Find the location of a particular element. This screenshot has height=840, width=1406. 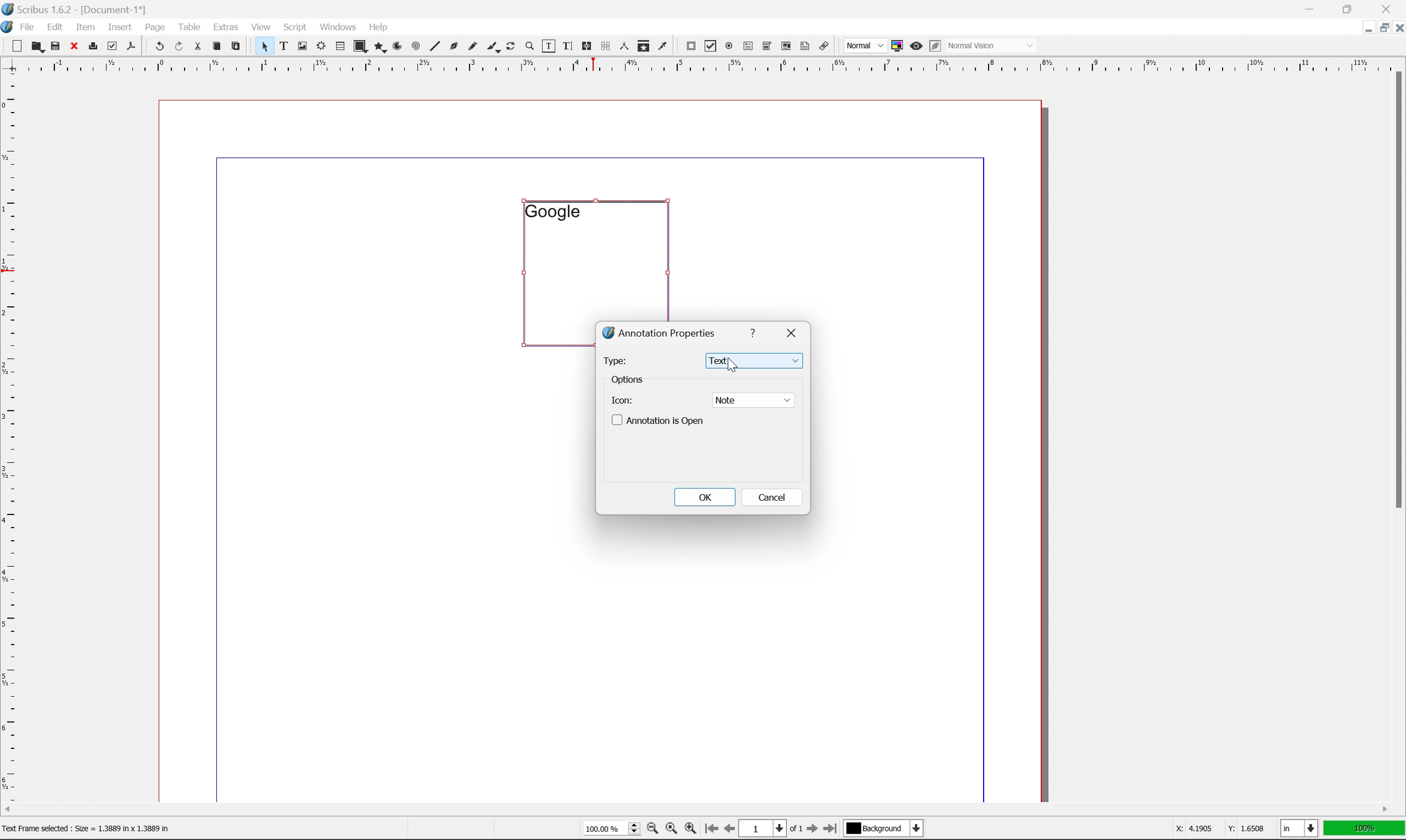

zoom in is located at coordinates (690, 829).